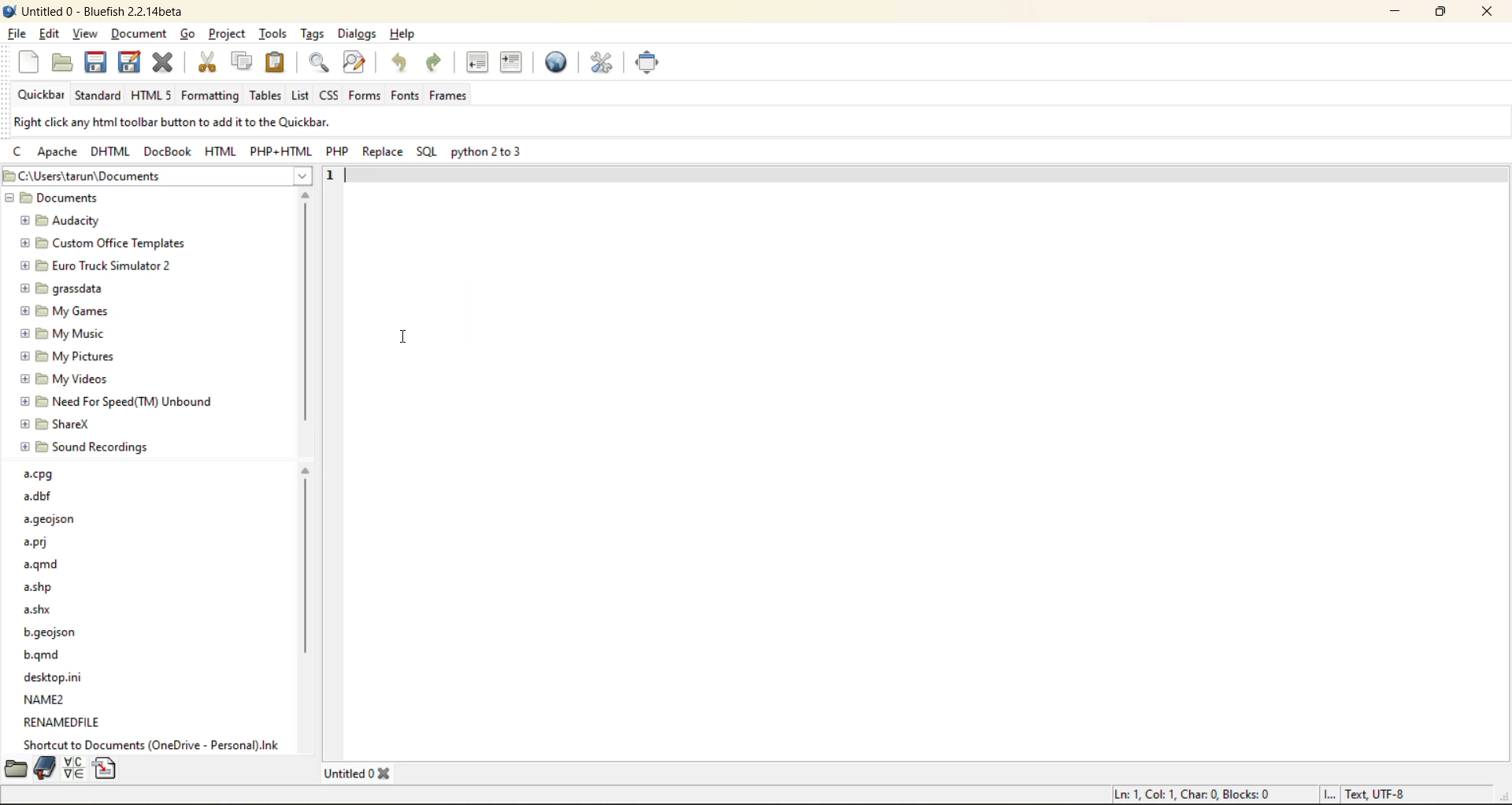 This screenshot has width=1512, height=805. I want to click on Ln: 1, Col: 1, Char: 0, Blocks: 0, so click(1193, 794).